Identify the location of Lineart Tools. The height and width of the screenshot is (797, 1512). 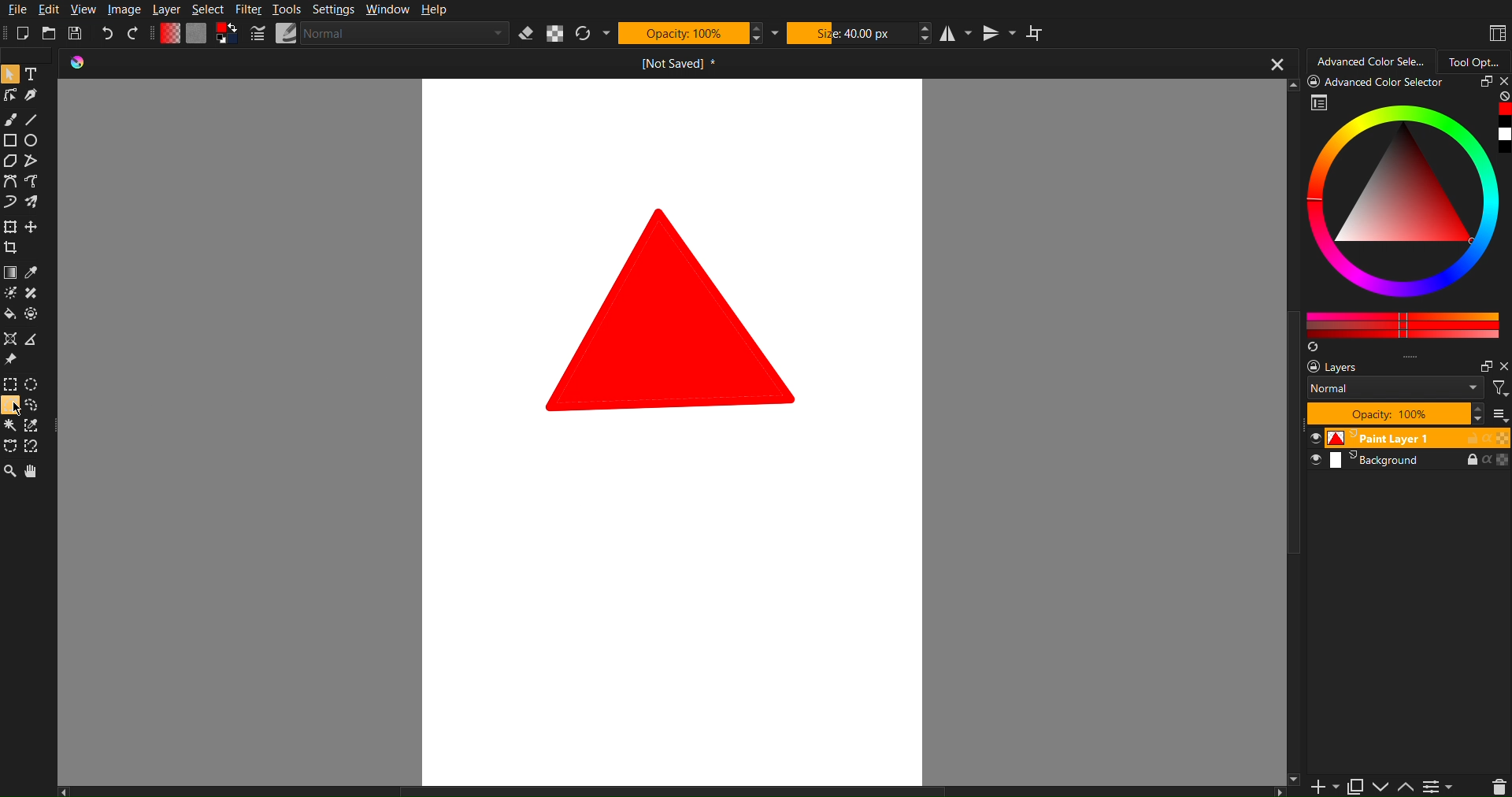
(9, 97).